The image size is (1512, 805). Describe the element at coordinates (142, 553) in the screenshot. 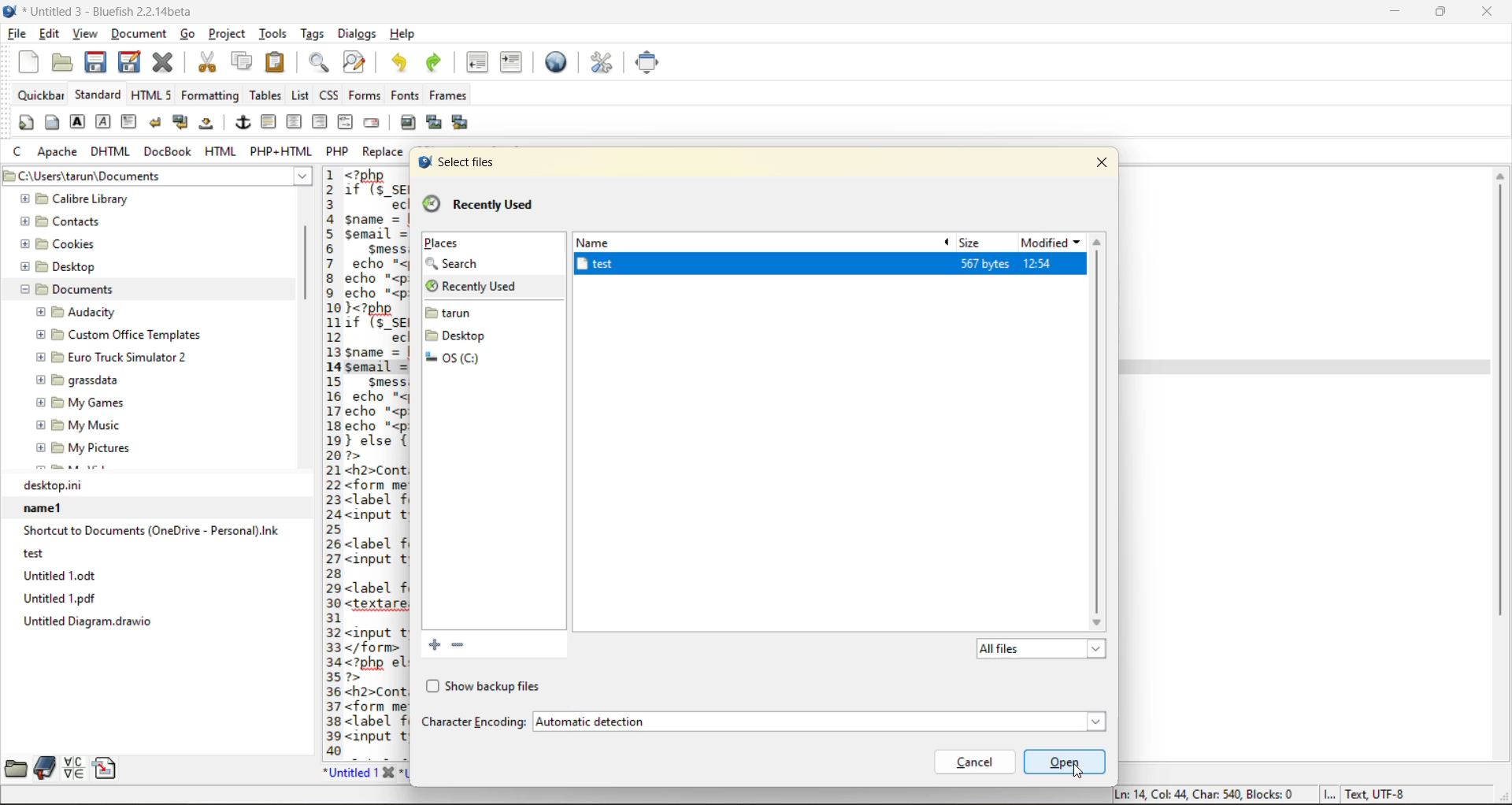

I see `test` at that location.